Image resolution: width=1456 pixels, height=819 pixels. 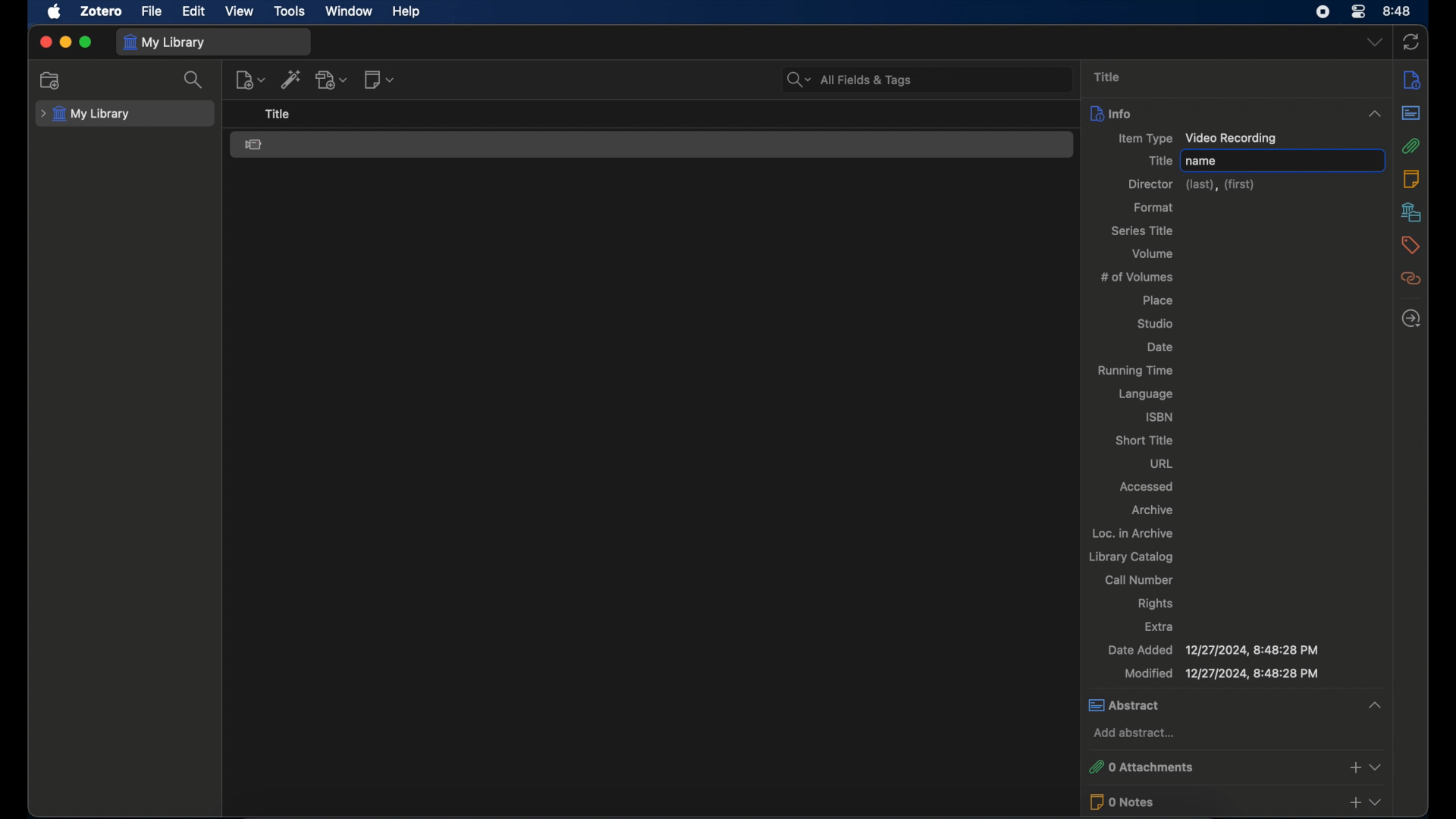 What do you see at coordinates (1134, 733) in the screenshot?
I see `add abstract` at bounding box center [1134, 733].